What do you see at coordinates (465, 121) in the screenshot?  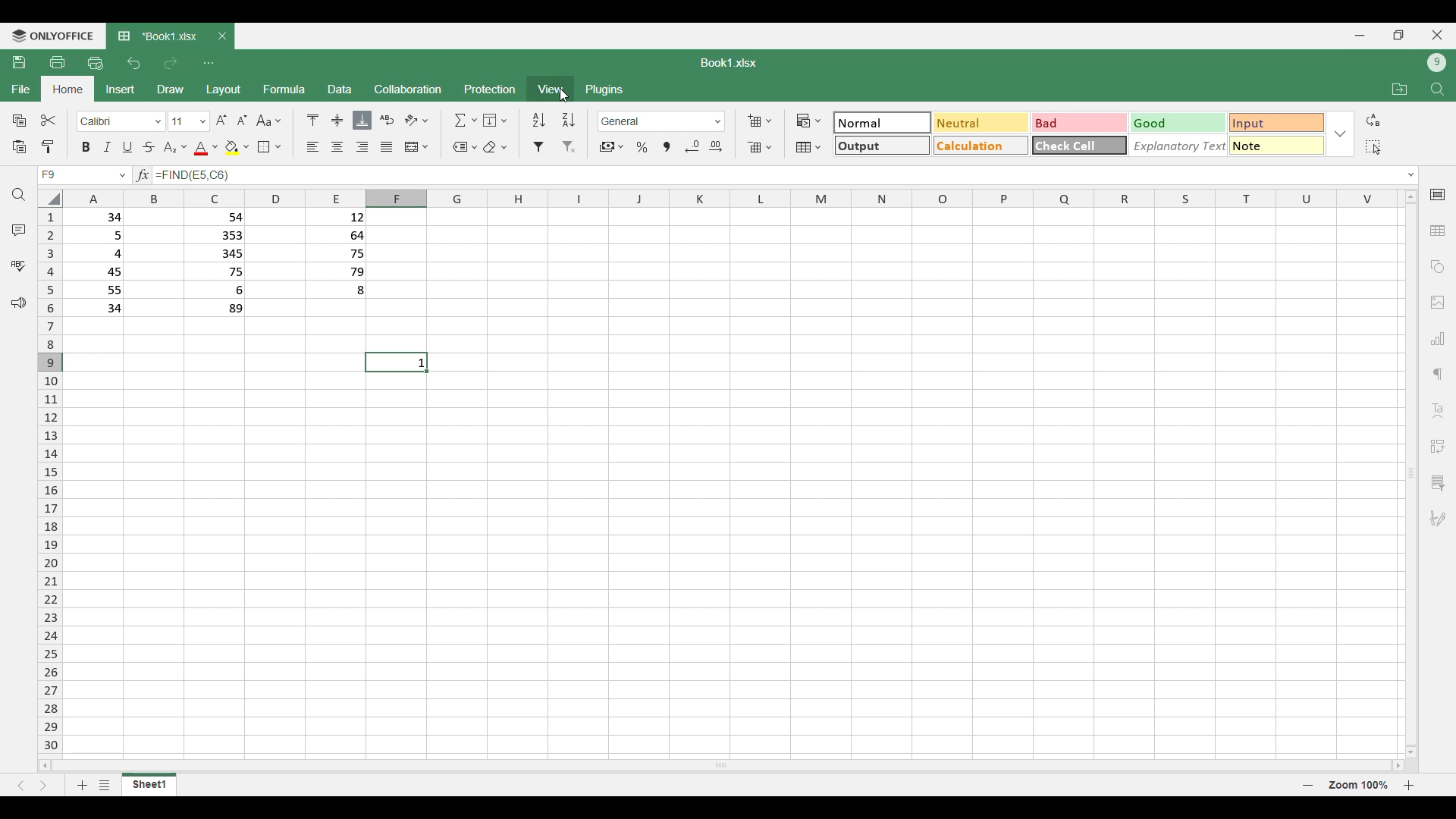 I see `Summation` at bounding box center [465, 121].